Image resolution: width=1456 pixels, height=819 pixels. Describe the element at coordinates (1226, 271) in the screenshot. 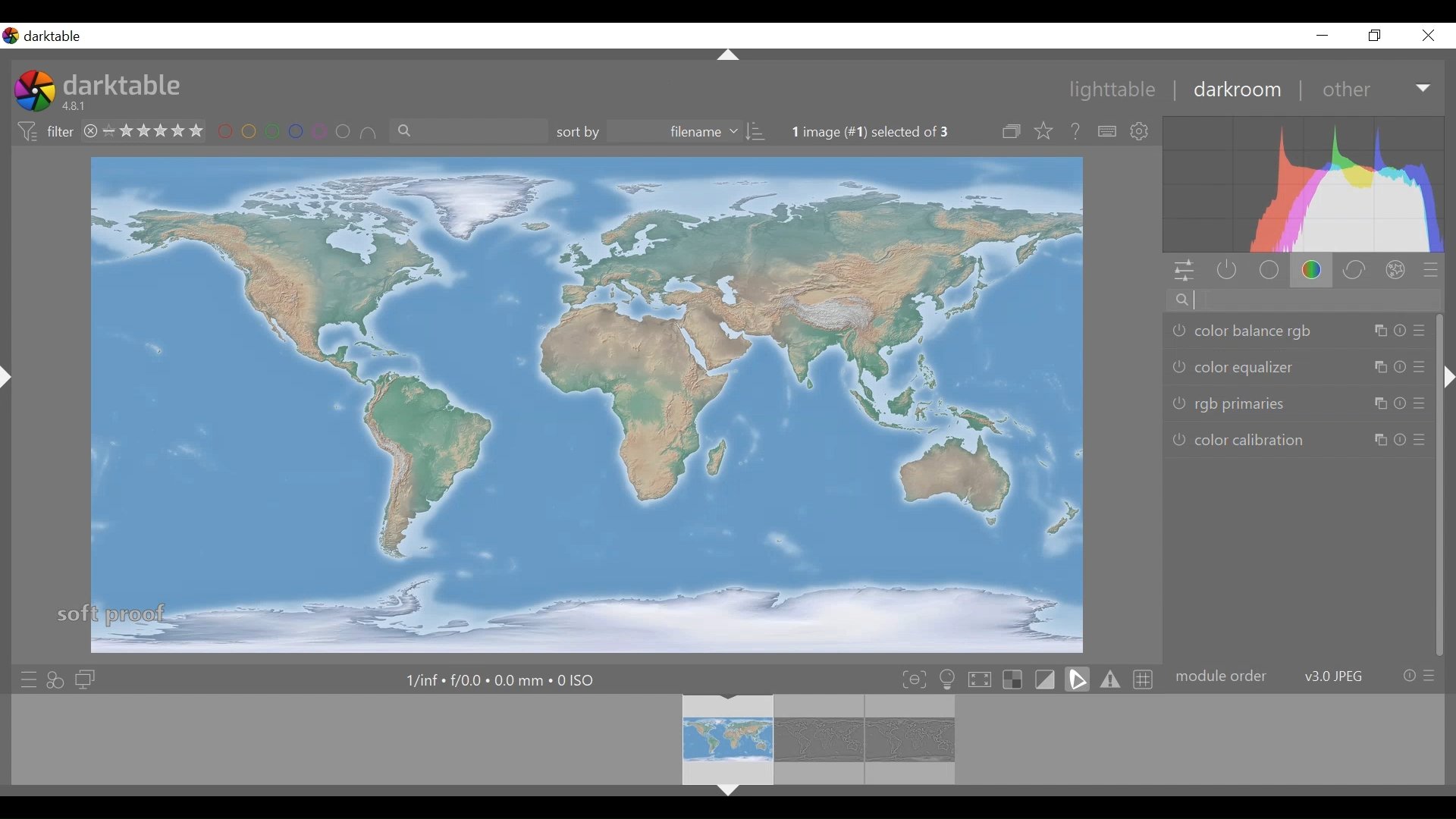

I see `show only active modules` at that location.